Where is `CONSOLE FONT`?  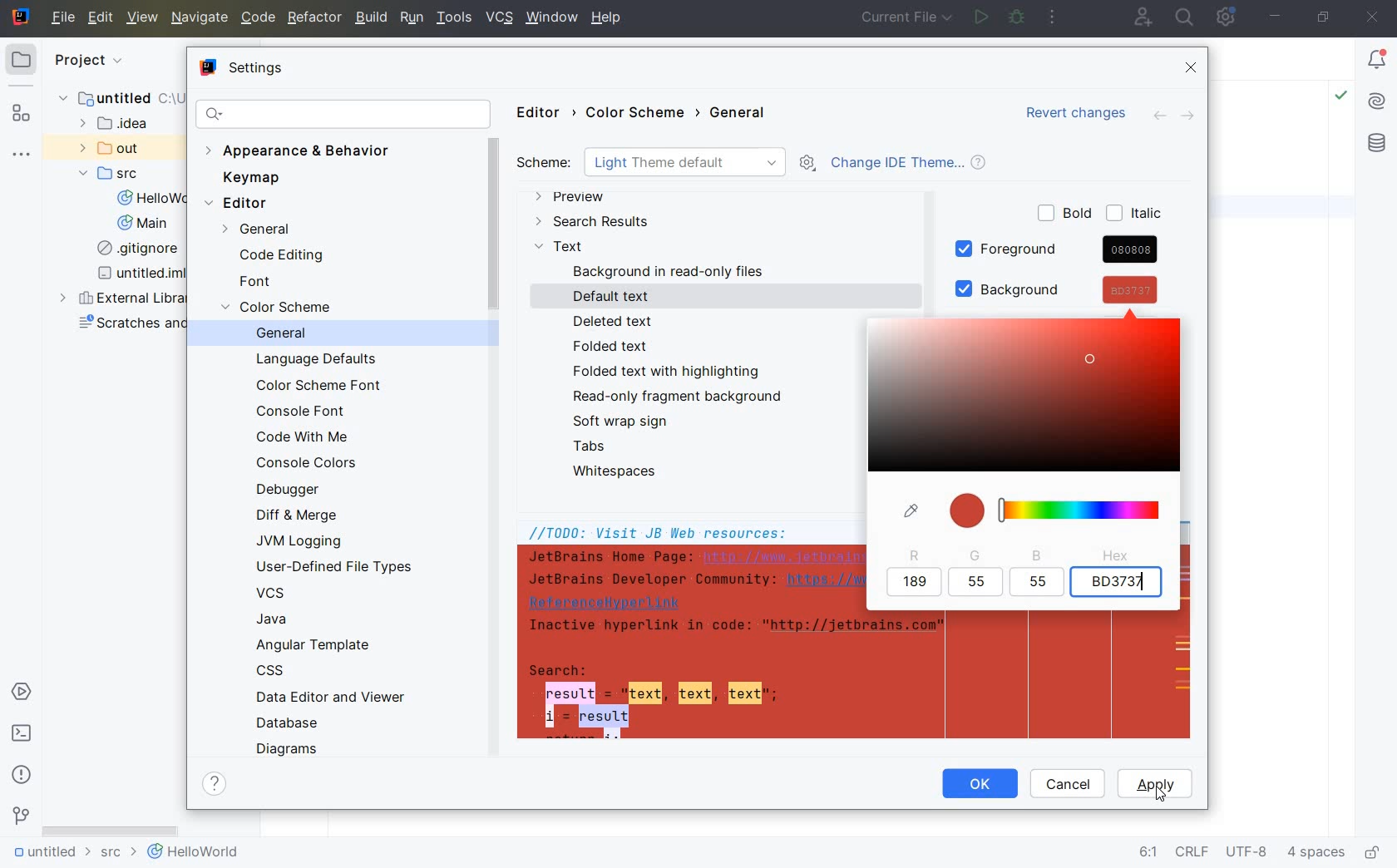
CONSOLE FONT is located at coordinates (303, 411).